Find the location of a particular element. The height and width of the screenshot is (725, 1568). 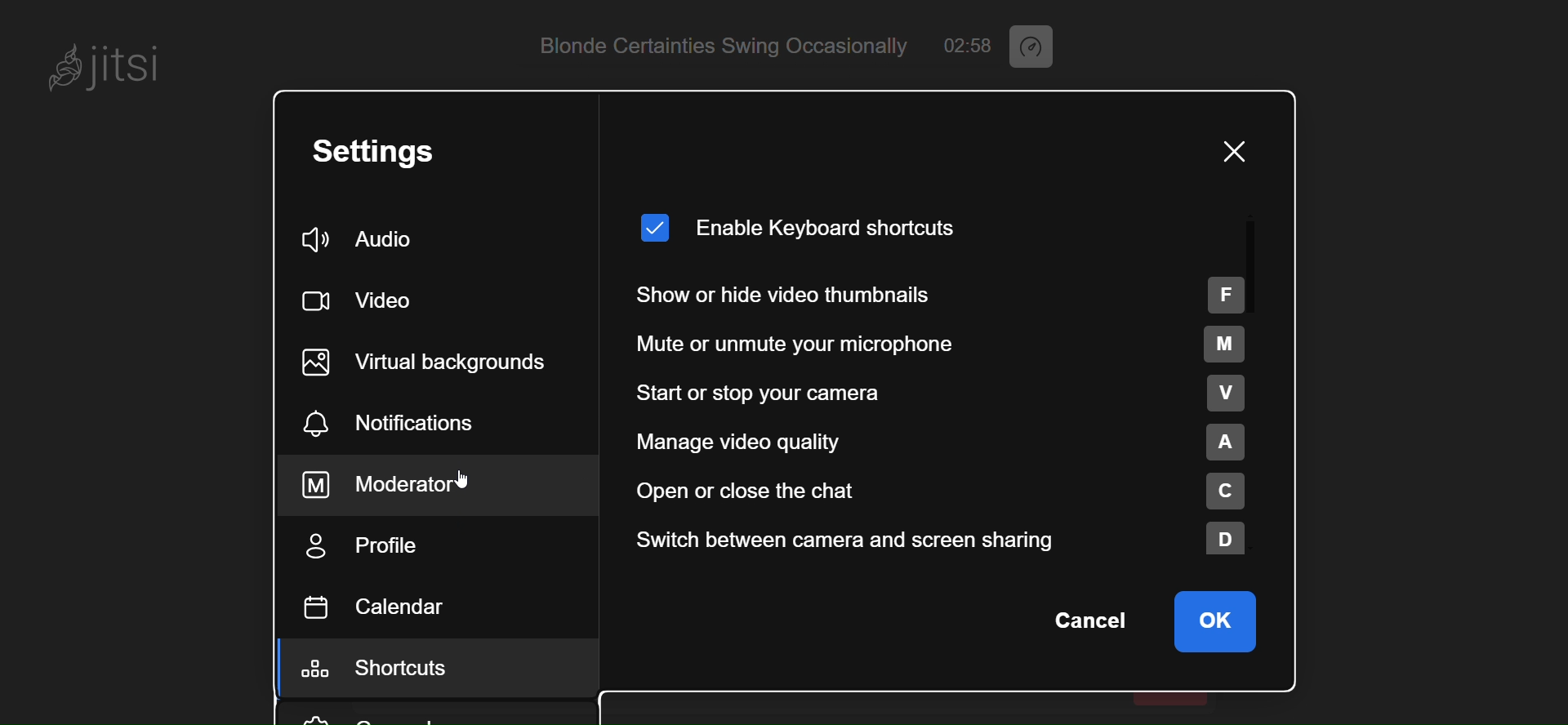

ok is located at coordinates (1216, 620).